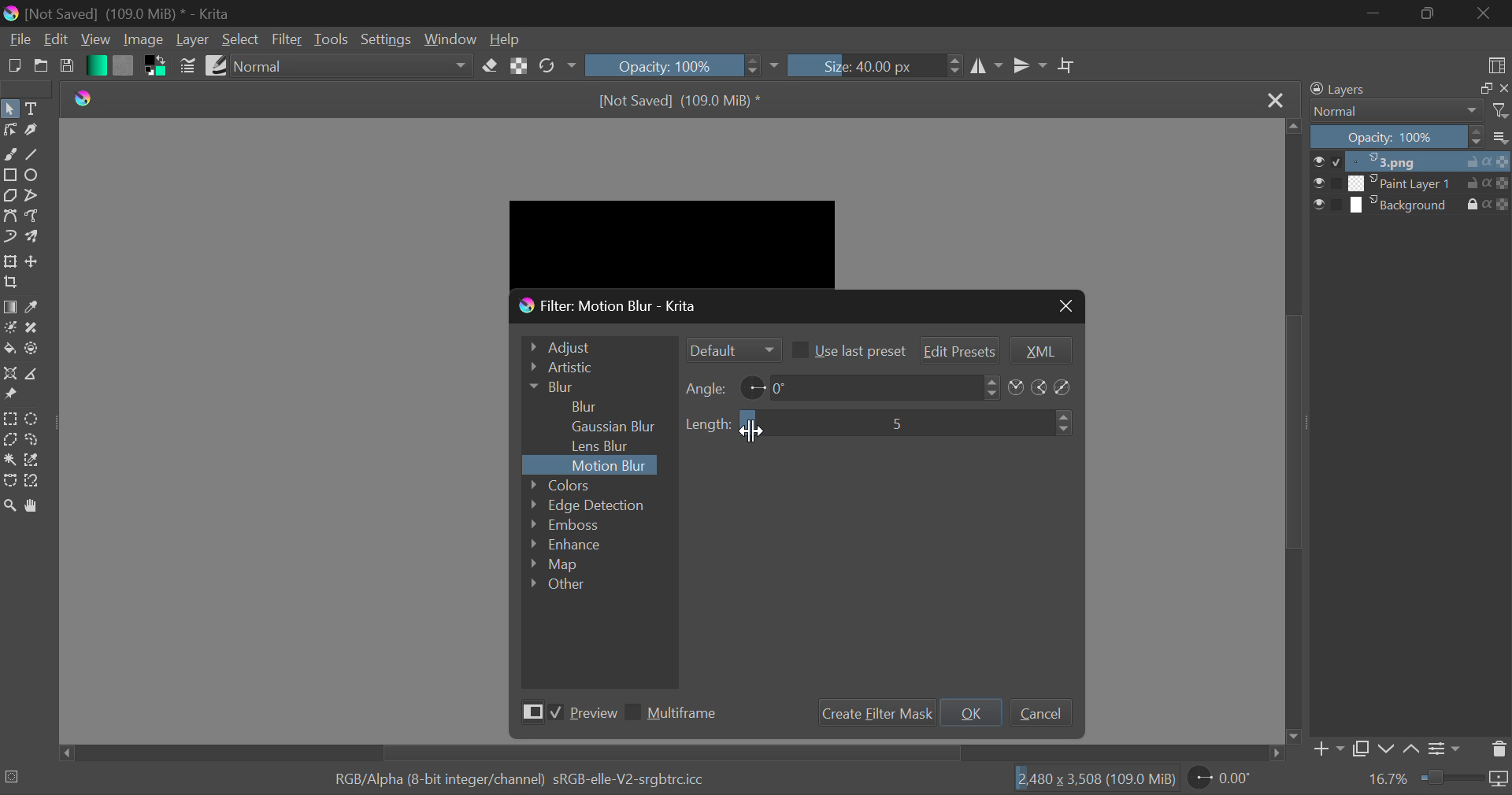  I want to click on Zoom, so click(13, 508).